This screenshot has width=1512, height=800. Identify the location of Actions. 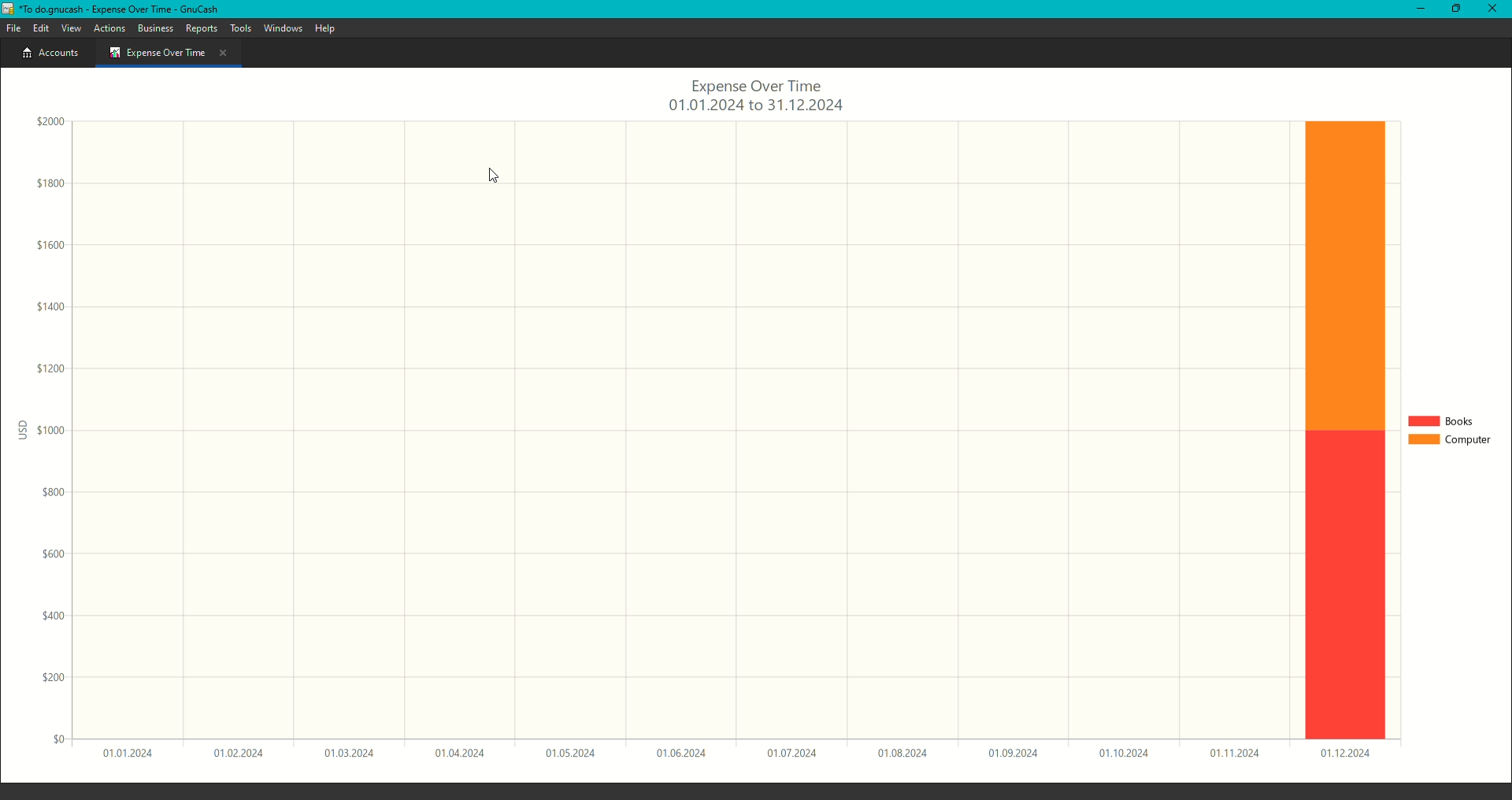
(109, 27).